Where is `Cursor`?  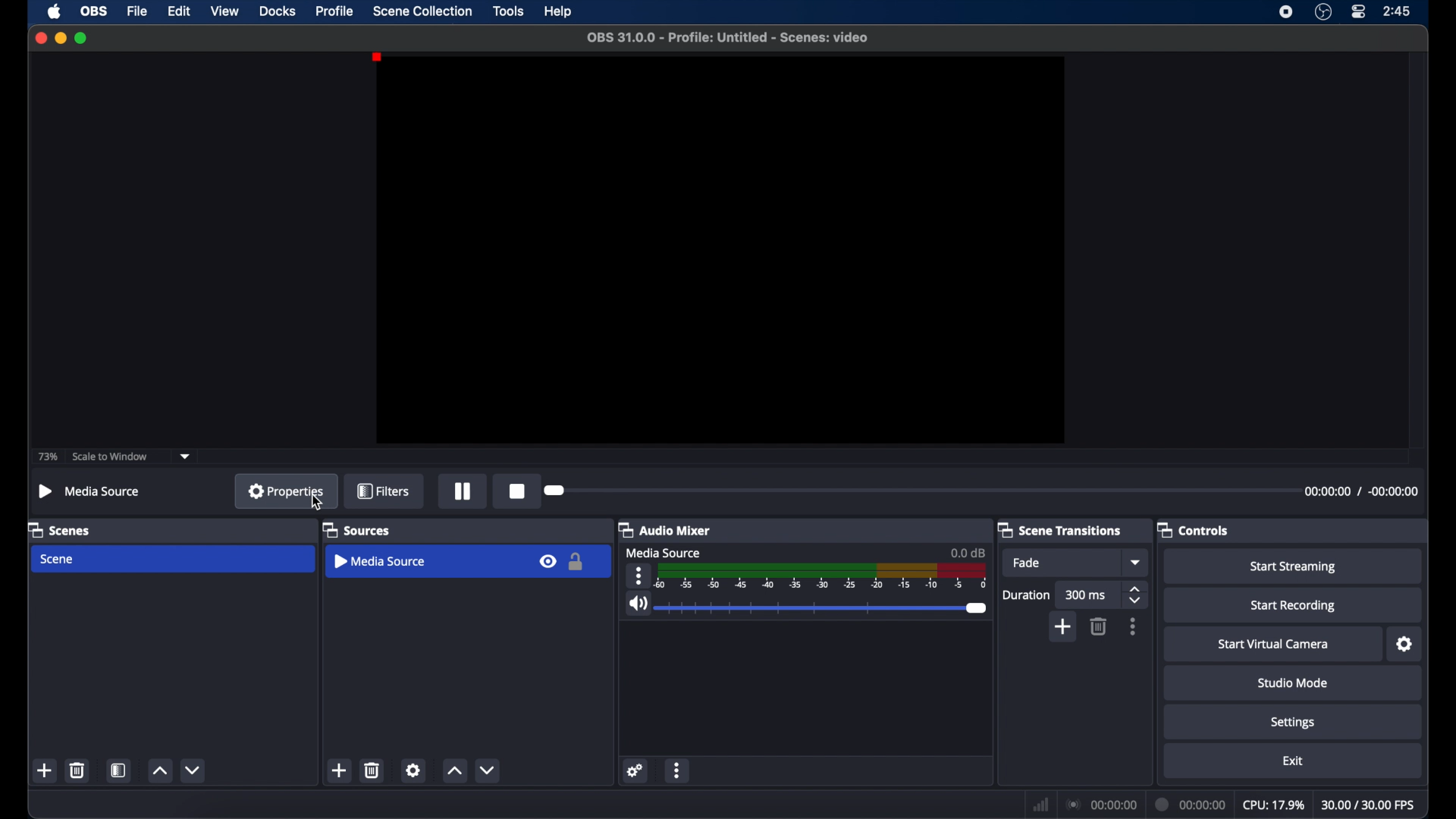
Cursor is located at coordinates (311, 503).